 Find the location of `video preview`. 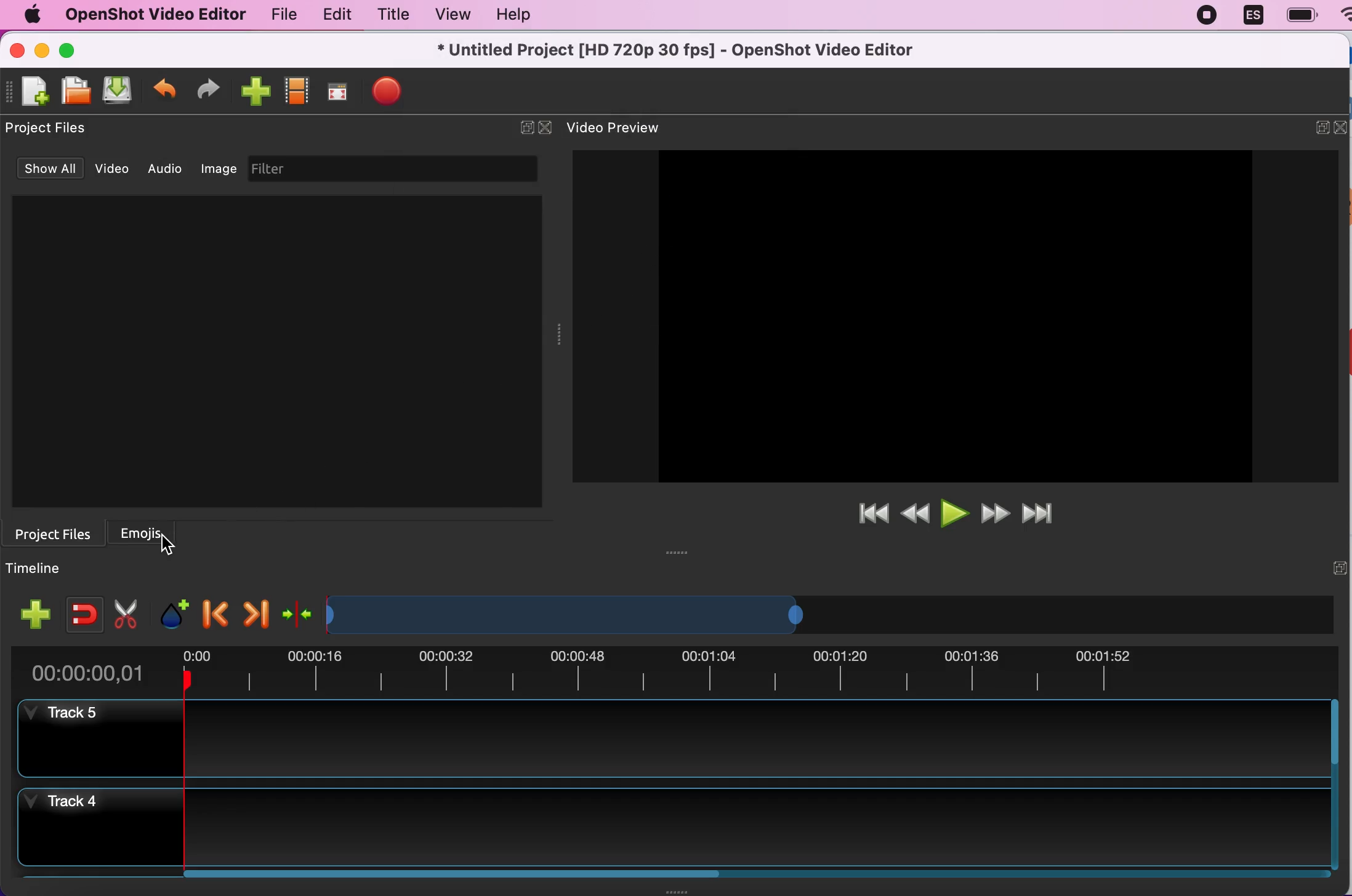

video preview is located at coordinates (631, 127).